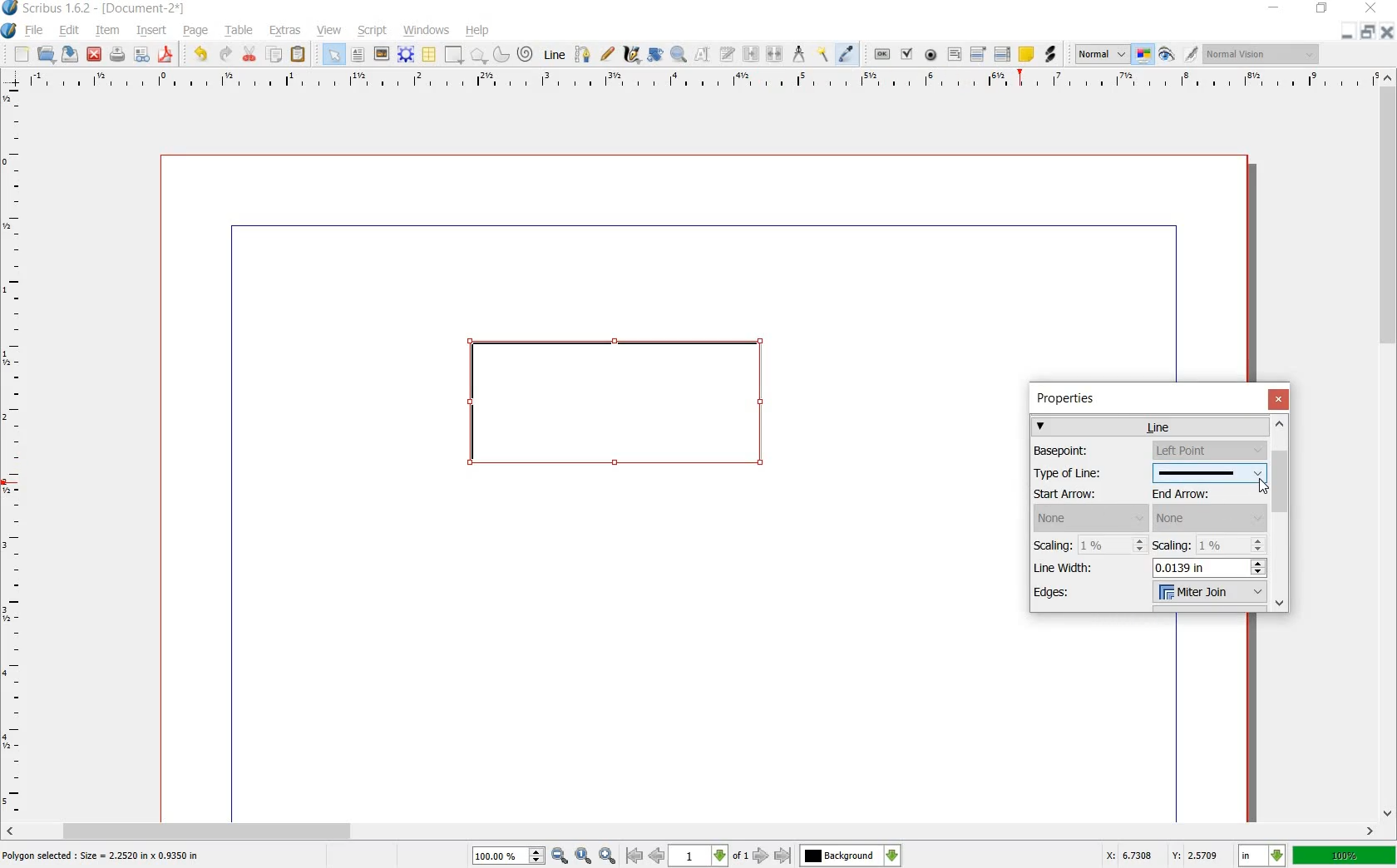 The image size is (1397, 868). Describe the element at coordinates (1152, 426) in the screenshot. I see `line` at that location.